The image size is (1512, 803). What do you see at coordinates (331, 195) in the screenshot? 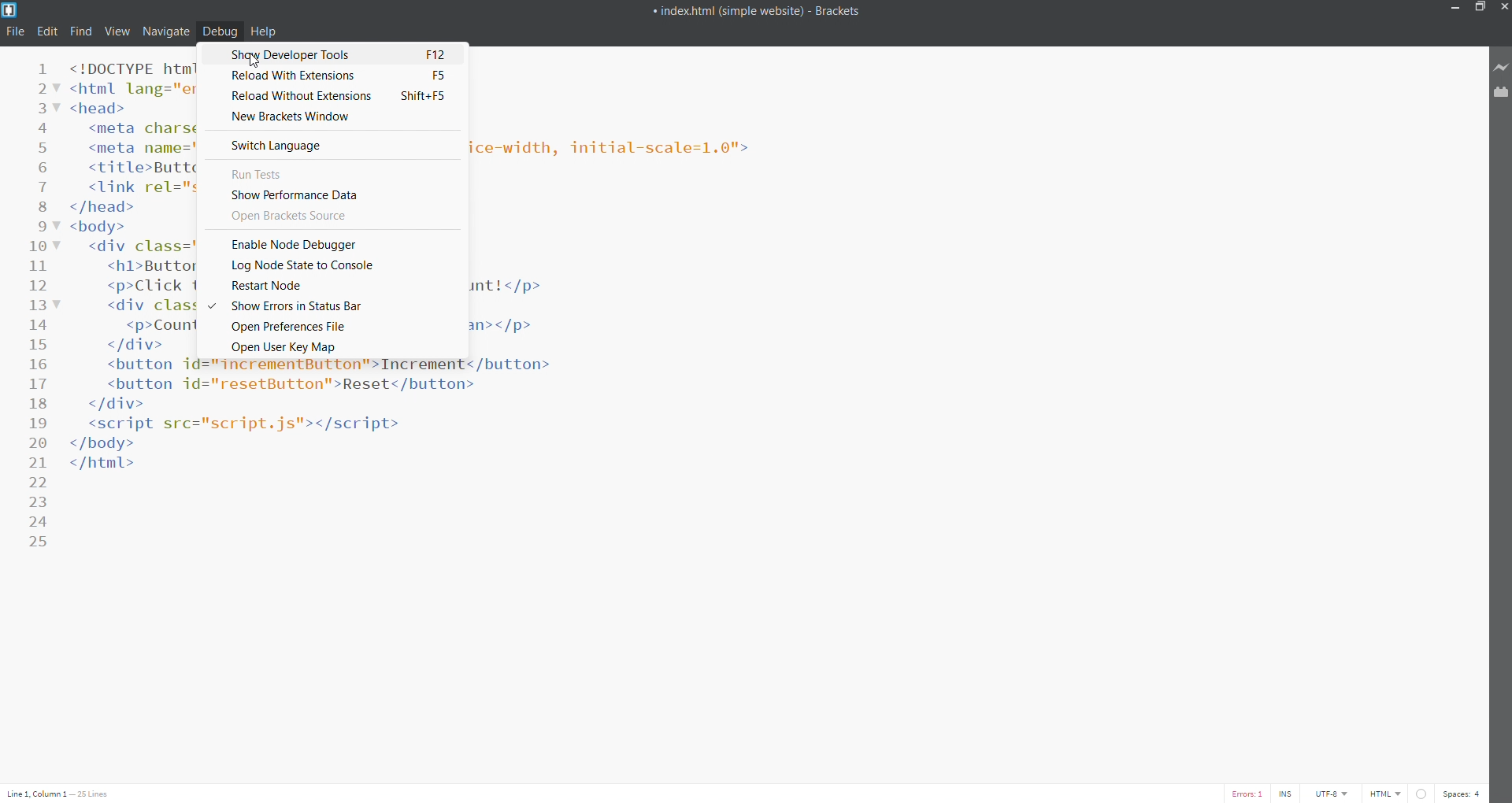
I see `show performance data` at bounding box center [331, 195].